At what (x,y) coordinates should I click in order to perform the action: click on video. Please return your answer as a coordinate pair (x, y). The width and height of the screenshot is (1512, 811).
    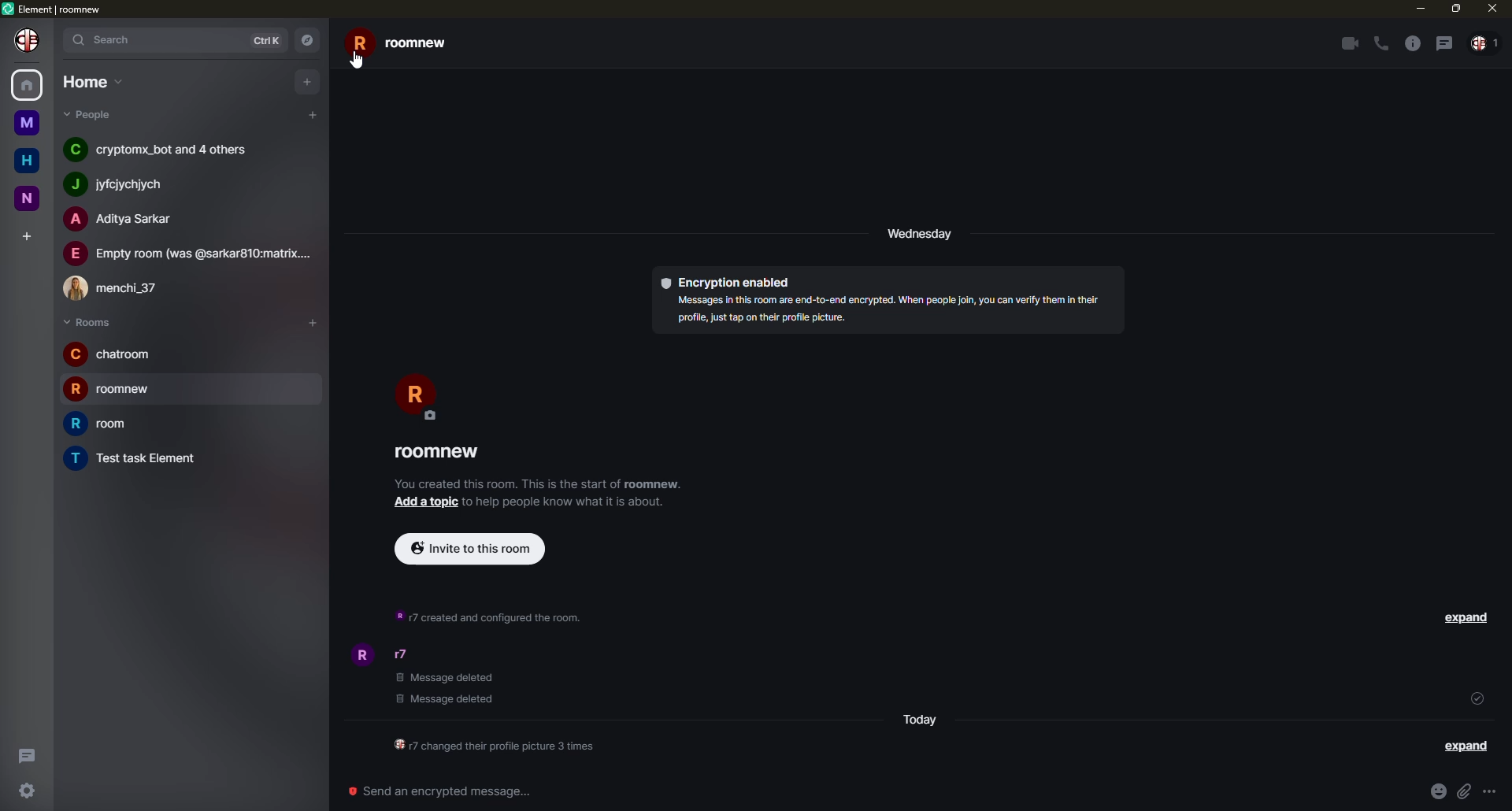
    Looking at the image, I should click on (1347, 43).